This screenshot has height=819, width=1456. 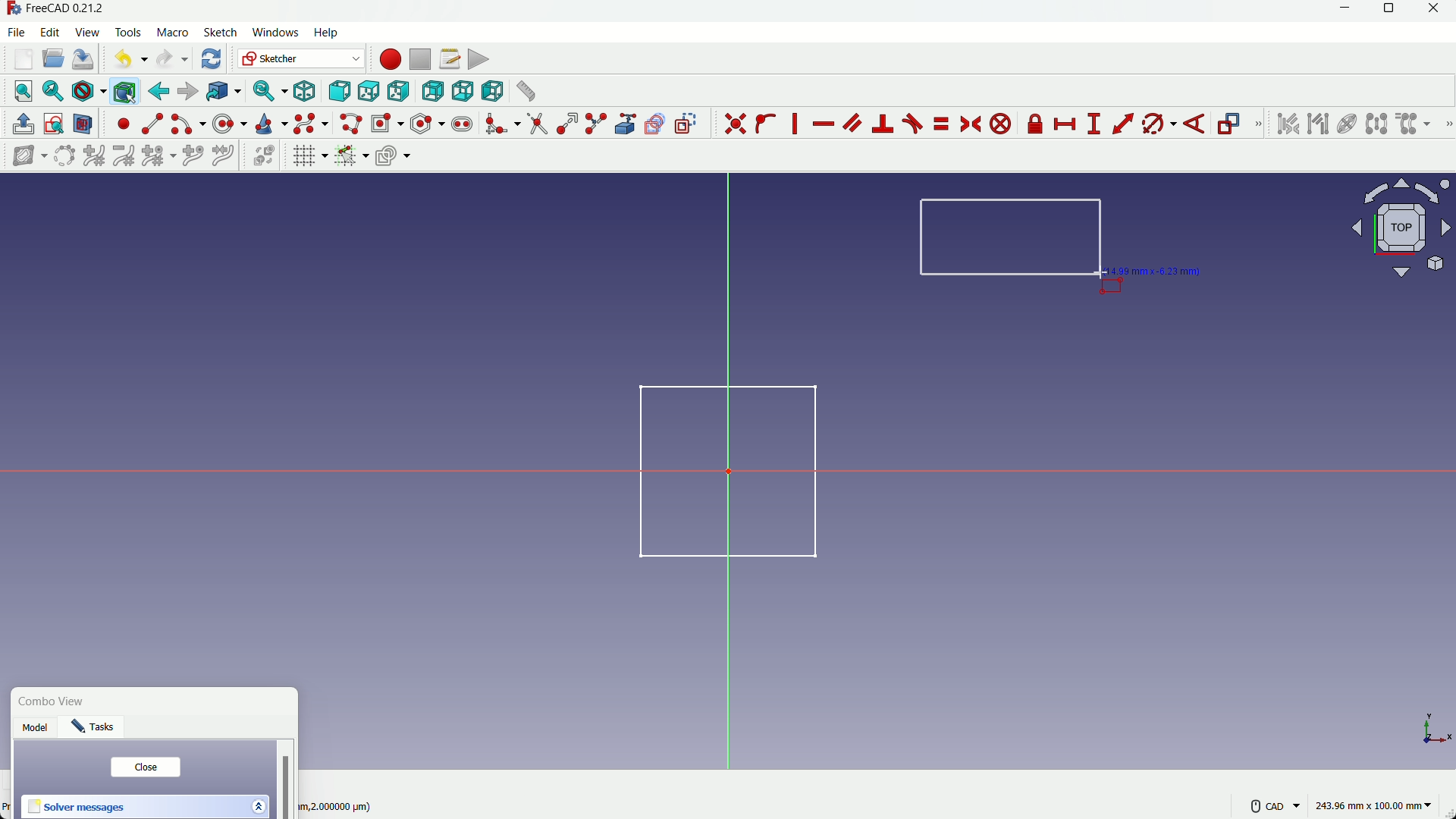 I want to click on constraint vertical, so click(x=798, y=124).